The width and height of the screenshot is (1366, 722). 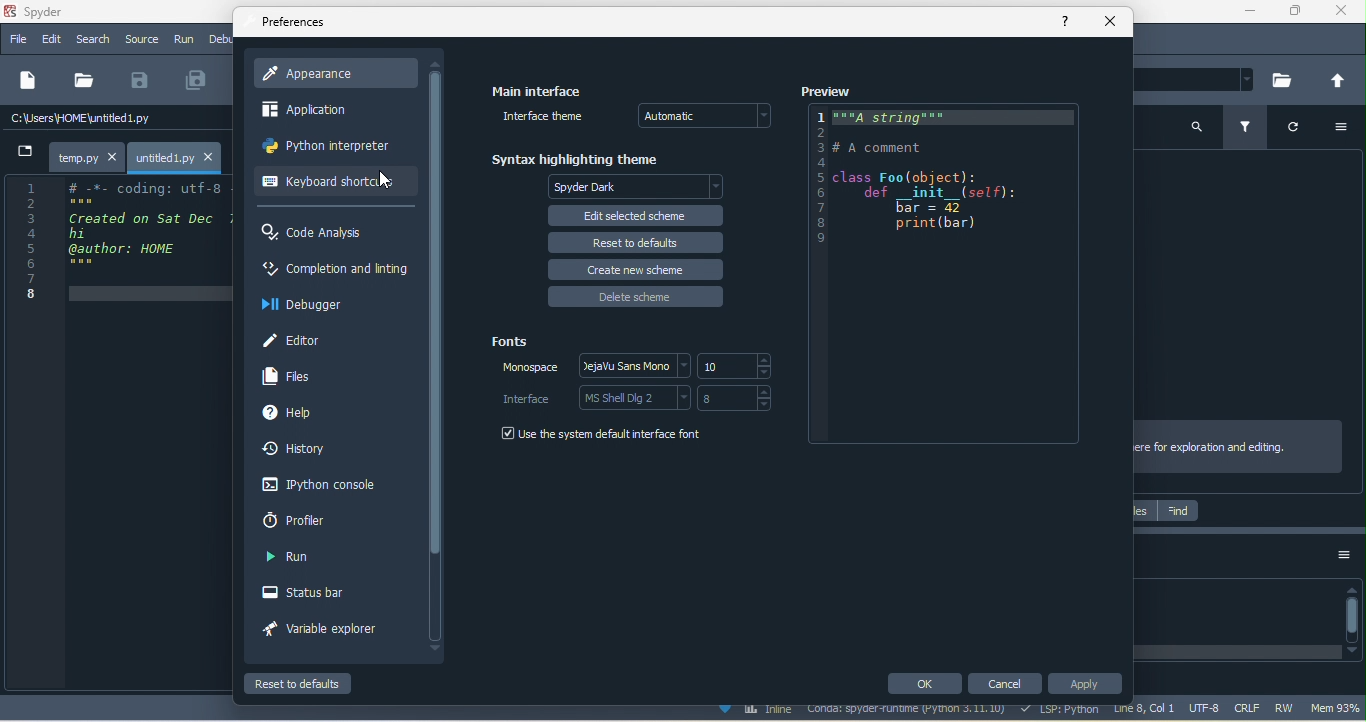 What do you see at coordinates (322, 631) in the screenshot?
I see `variable explorer` at bounding box center [322, 631].